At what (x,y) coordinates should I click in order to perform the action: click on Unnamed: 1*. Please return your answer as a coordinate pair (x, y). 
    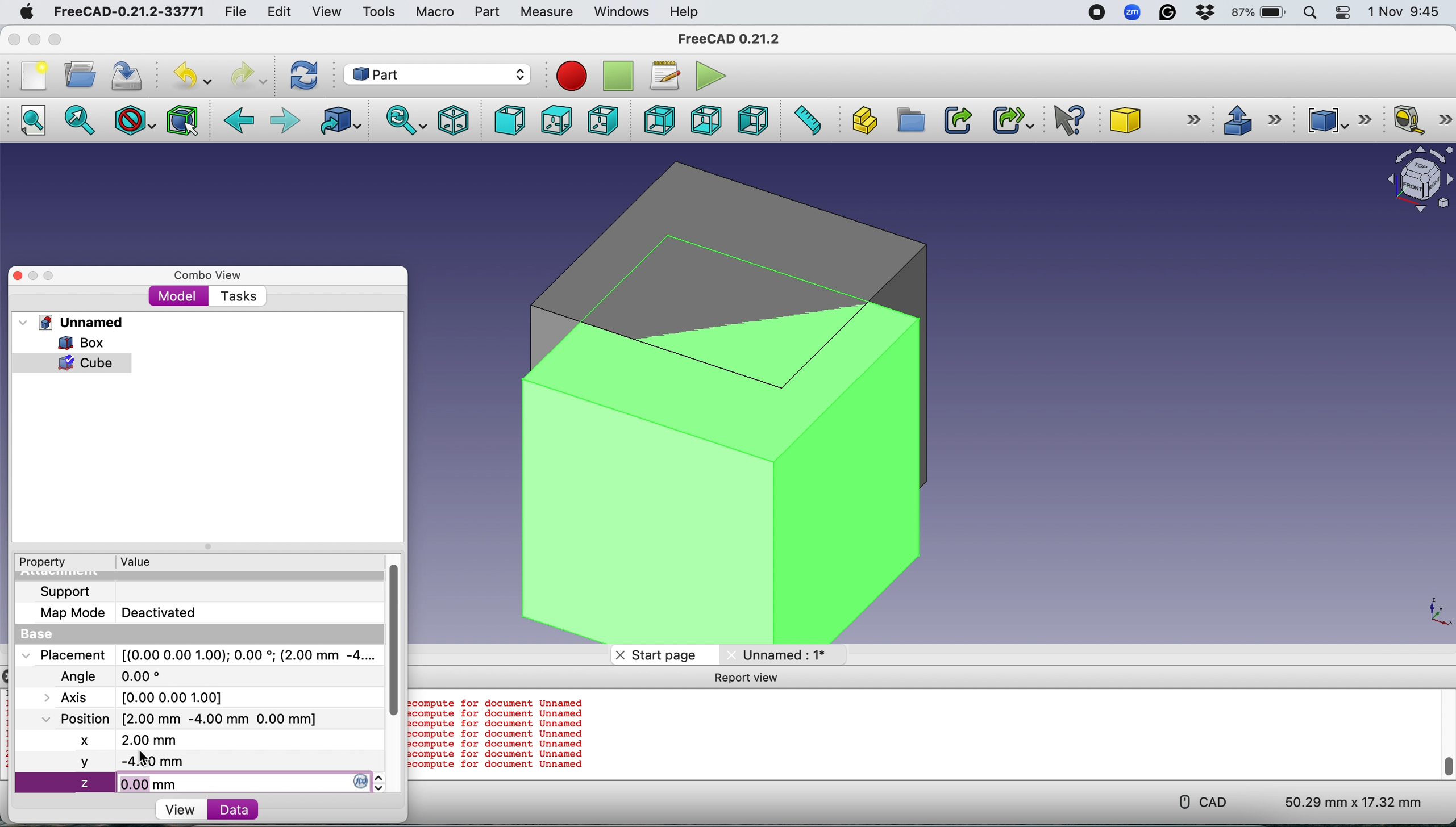
    Looking at the image, I should click on (789, 654).